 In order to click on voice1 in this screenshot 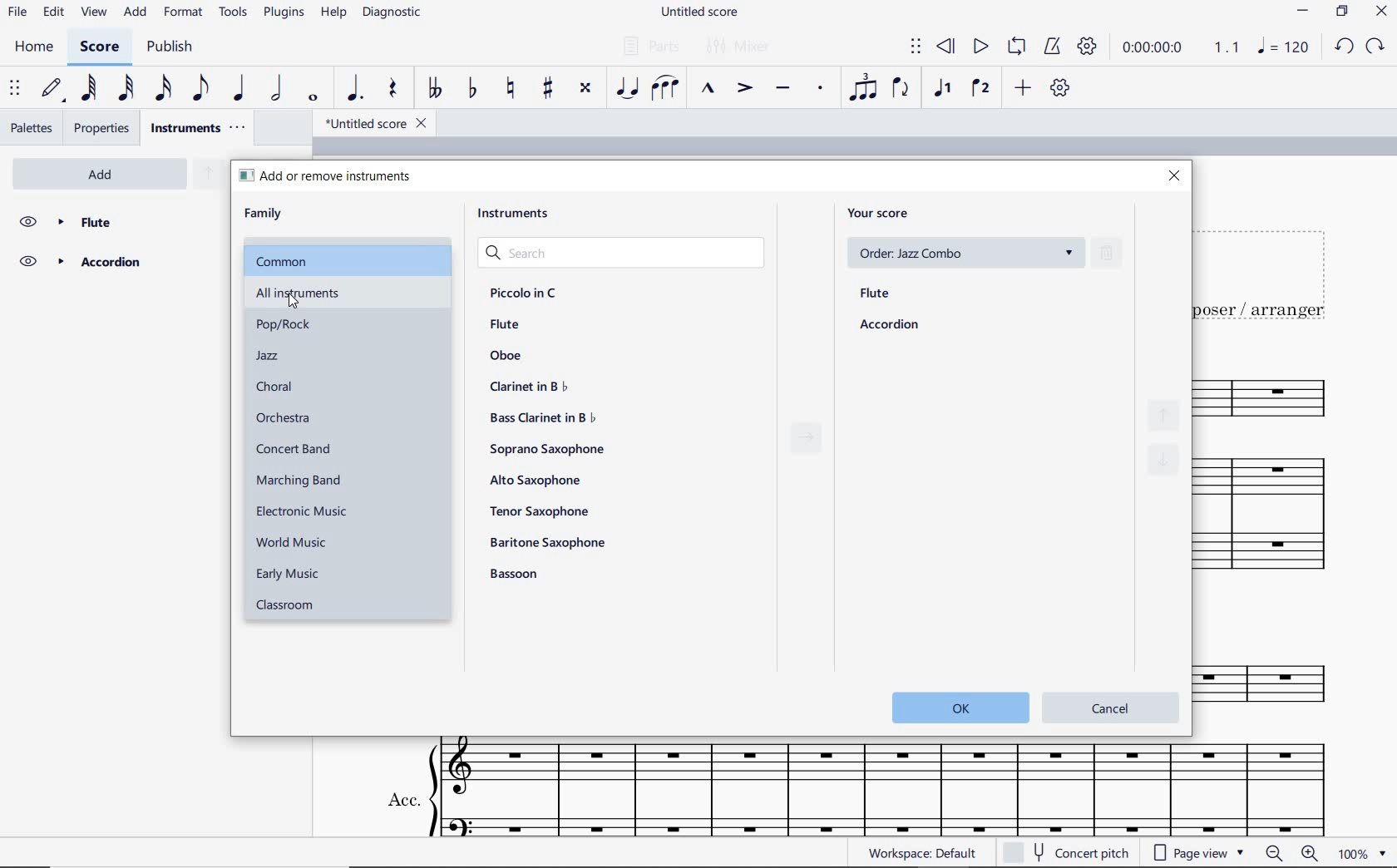, I will do `click(942, 89)`.